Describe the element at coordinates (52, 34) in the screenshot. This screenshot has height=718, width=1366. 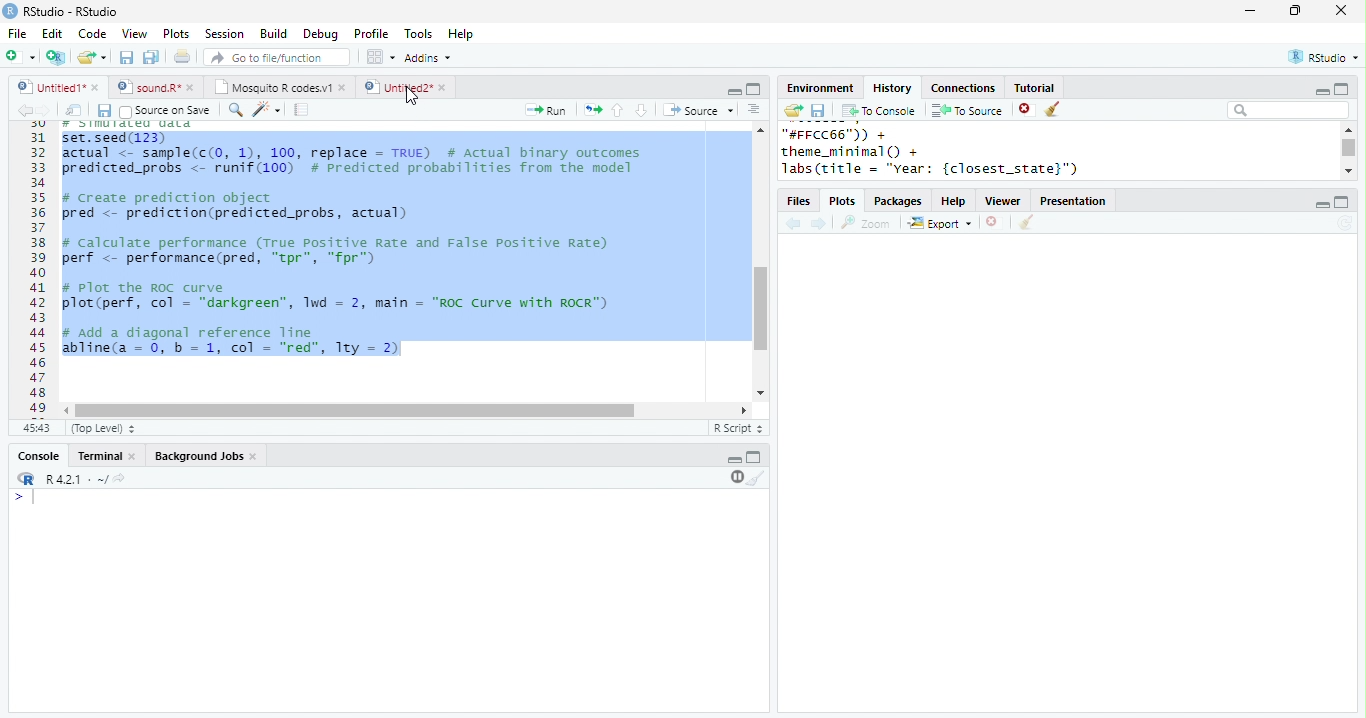
I see `Edit` at that location.